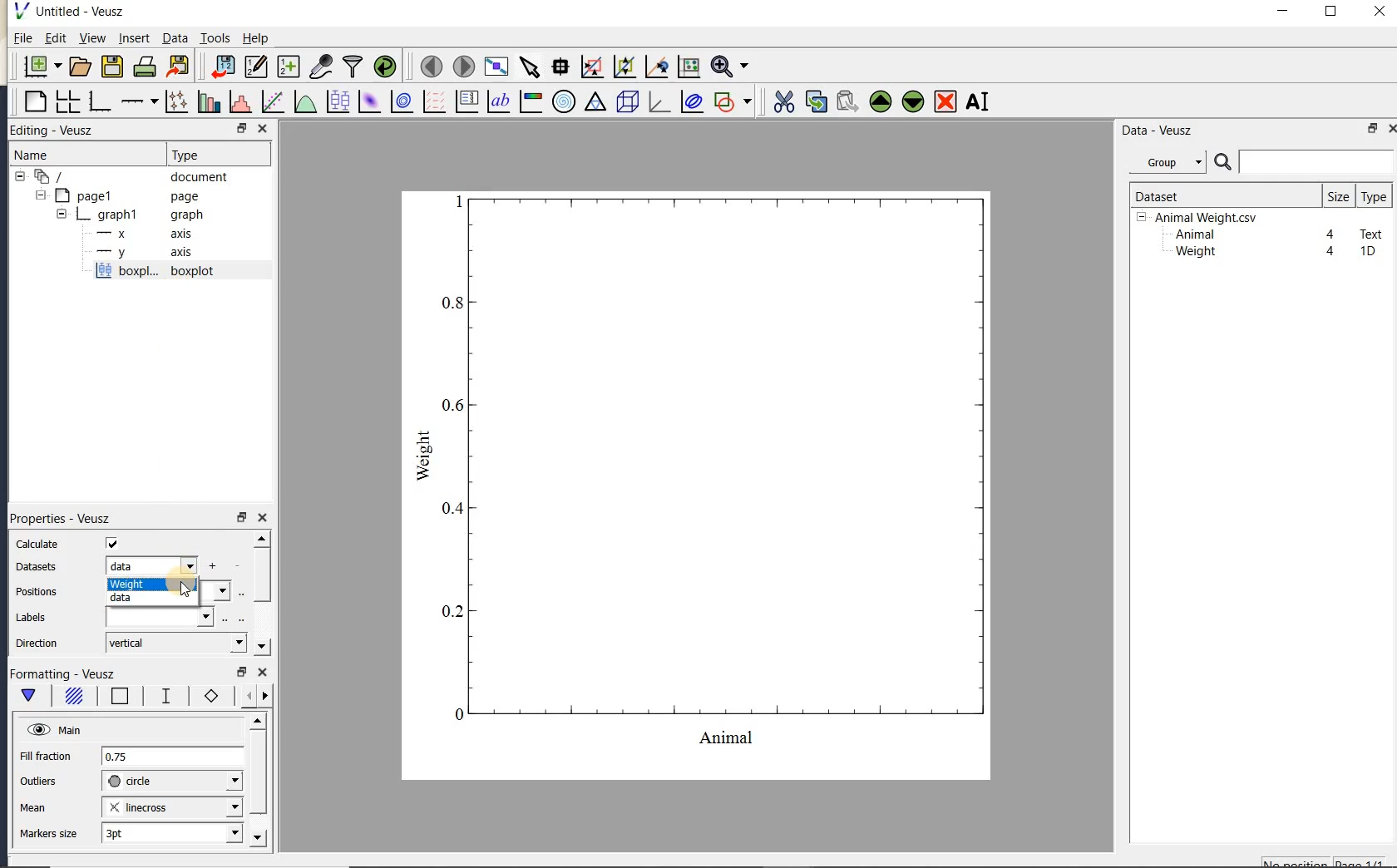  What do you see at coordinates (289, 65) in the screenshot?
I see `create new datasets` at bounding box center [289, 65].